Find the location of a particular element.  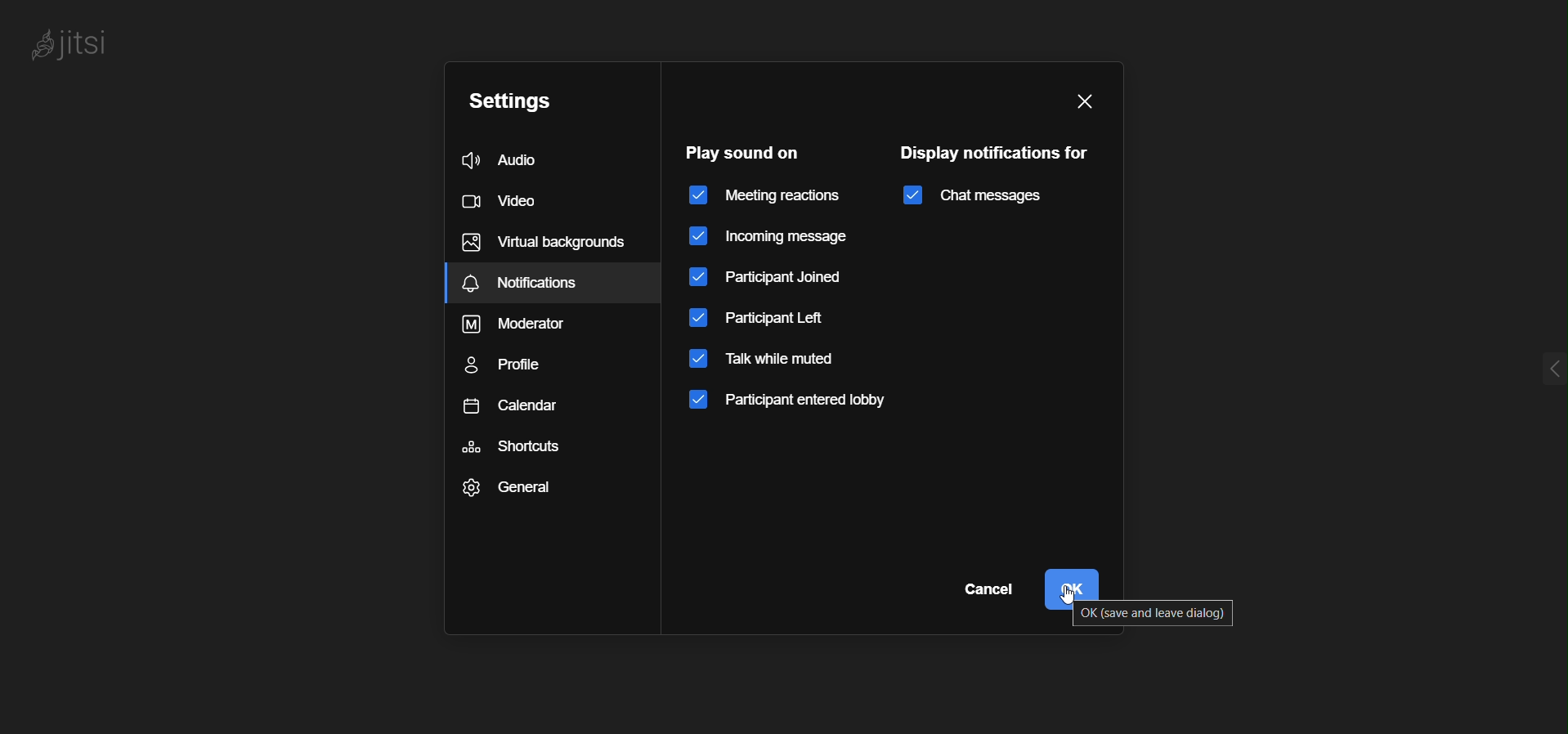

audio is located at coordinates (518, 157).